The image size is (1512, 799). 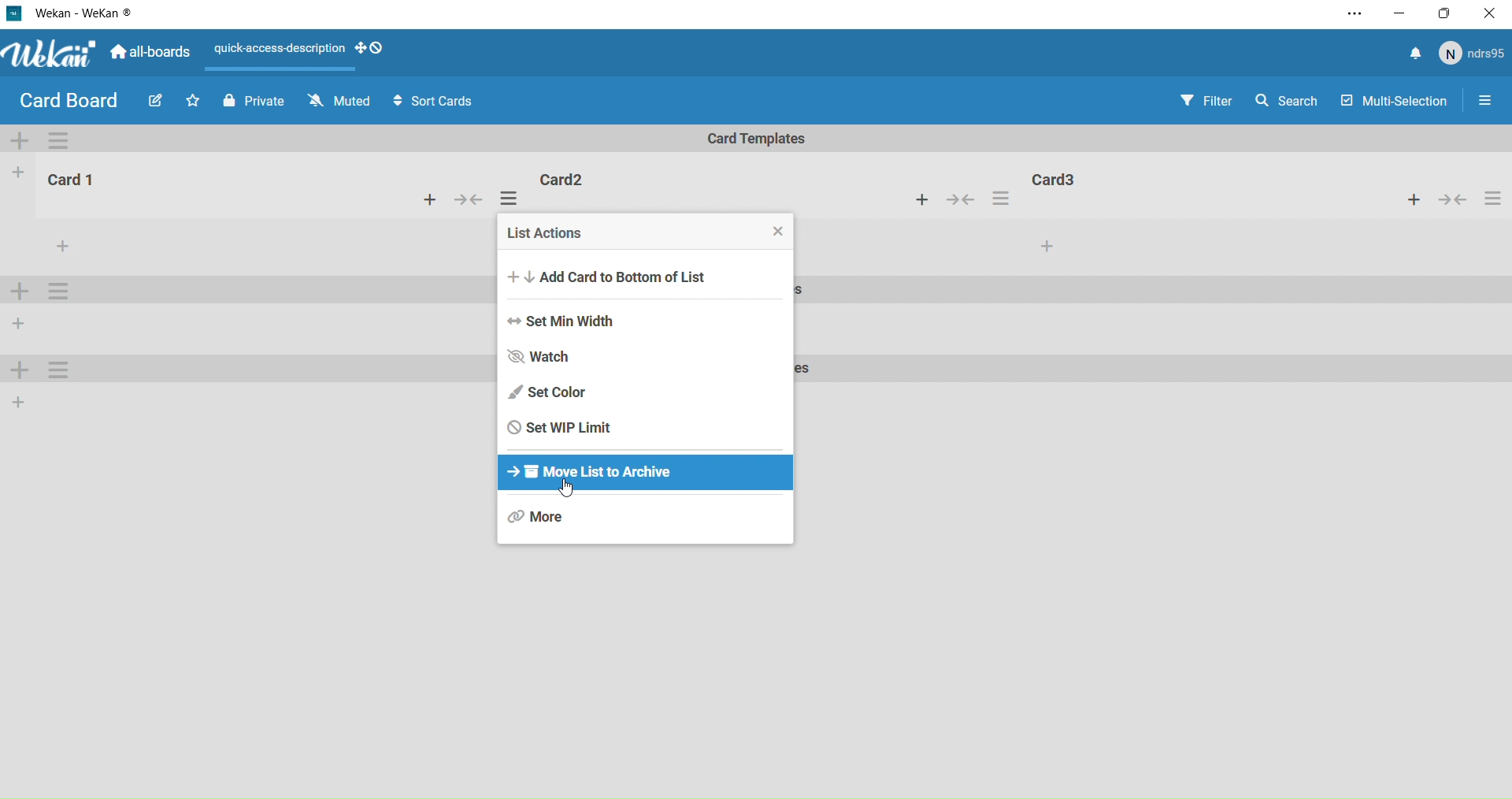 I want to click on Muted, so click(x=341, y=101).